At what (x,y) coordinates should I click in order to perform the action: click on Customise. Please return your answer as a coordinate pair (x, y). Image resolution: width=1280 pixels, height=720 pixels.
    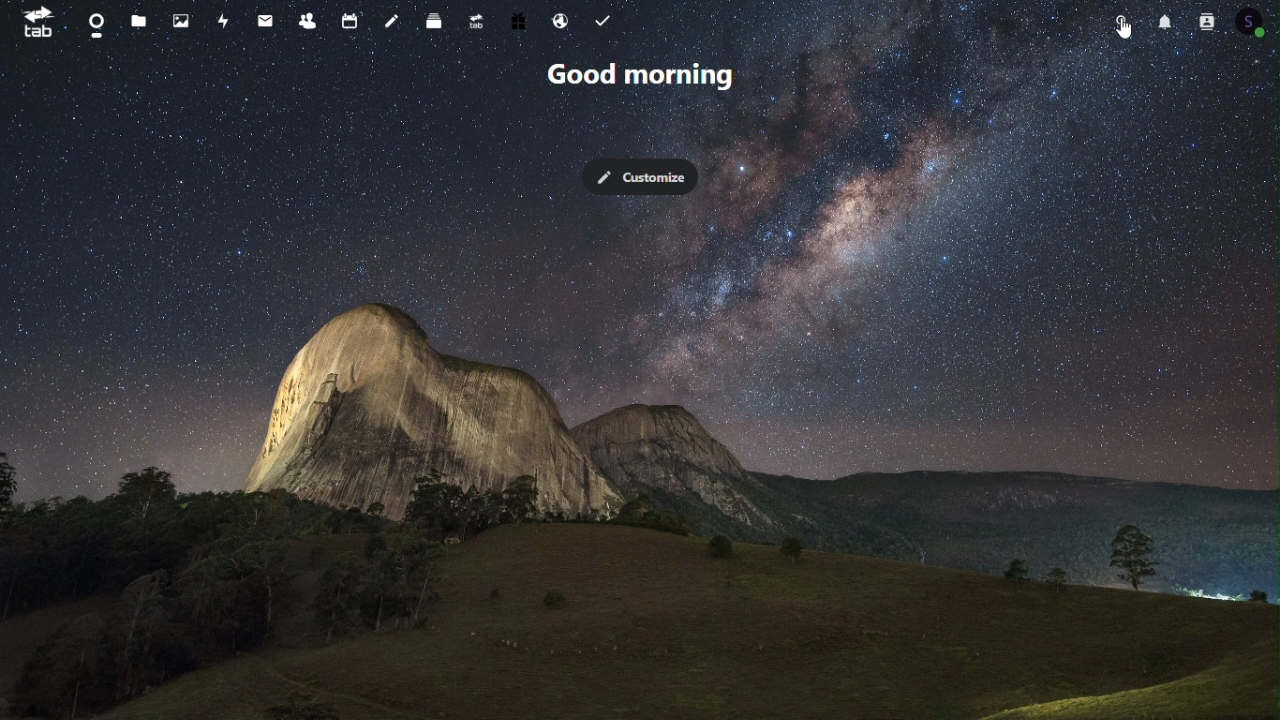
    Looking at the image, I should click on (643, 176).